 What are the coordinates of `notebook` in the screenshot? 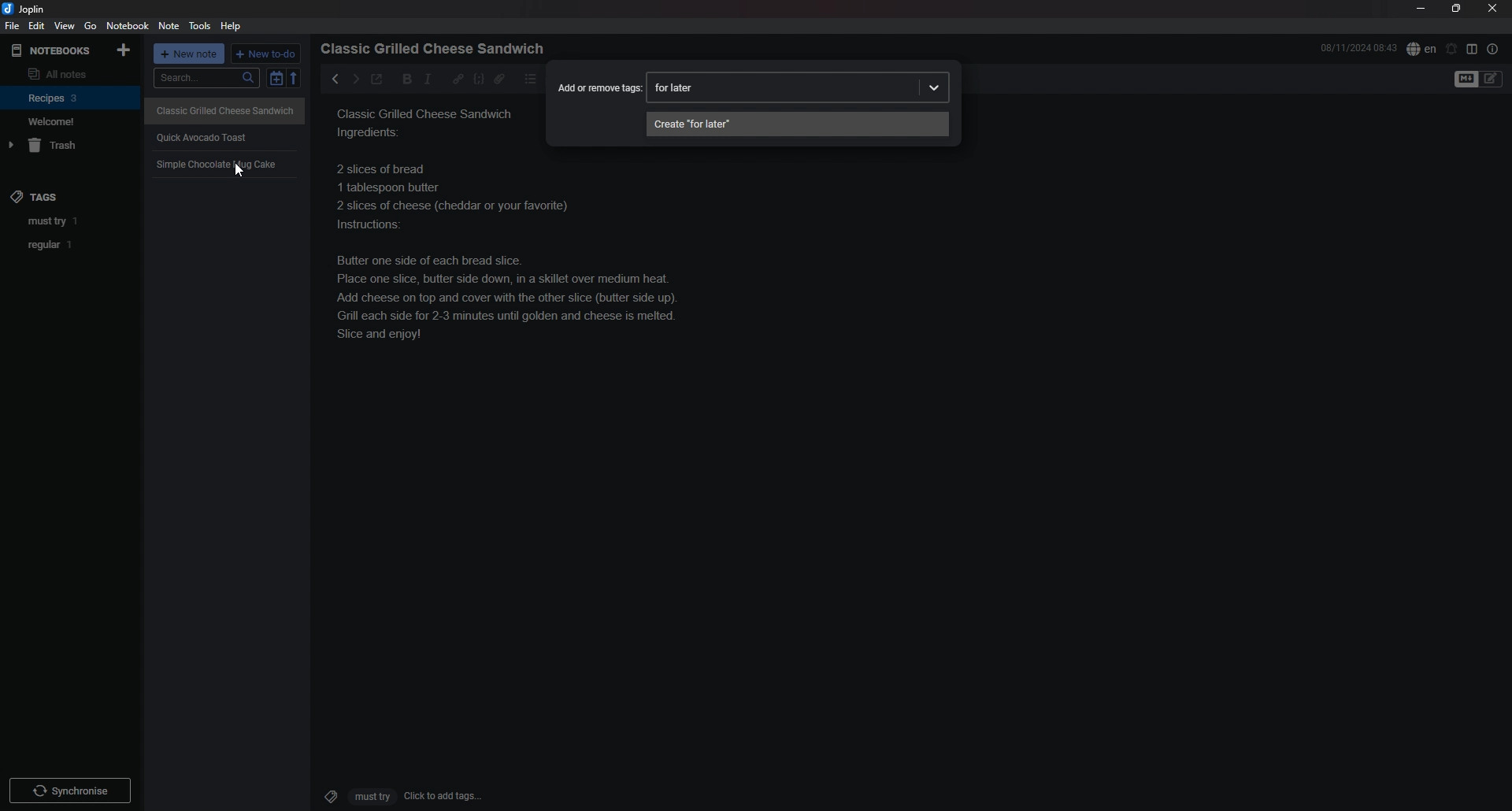 It's located at (129, 25).